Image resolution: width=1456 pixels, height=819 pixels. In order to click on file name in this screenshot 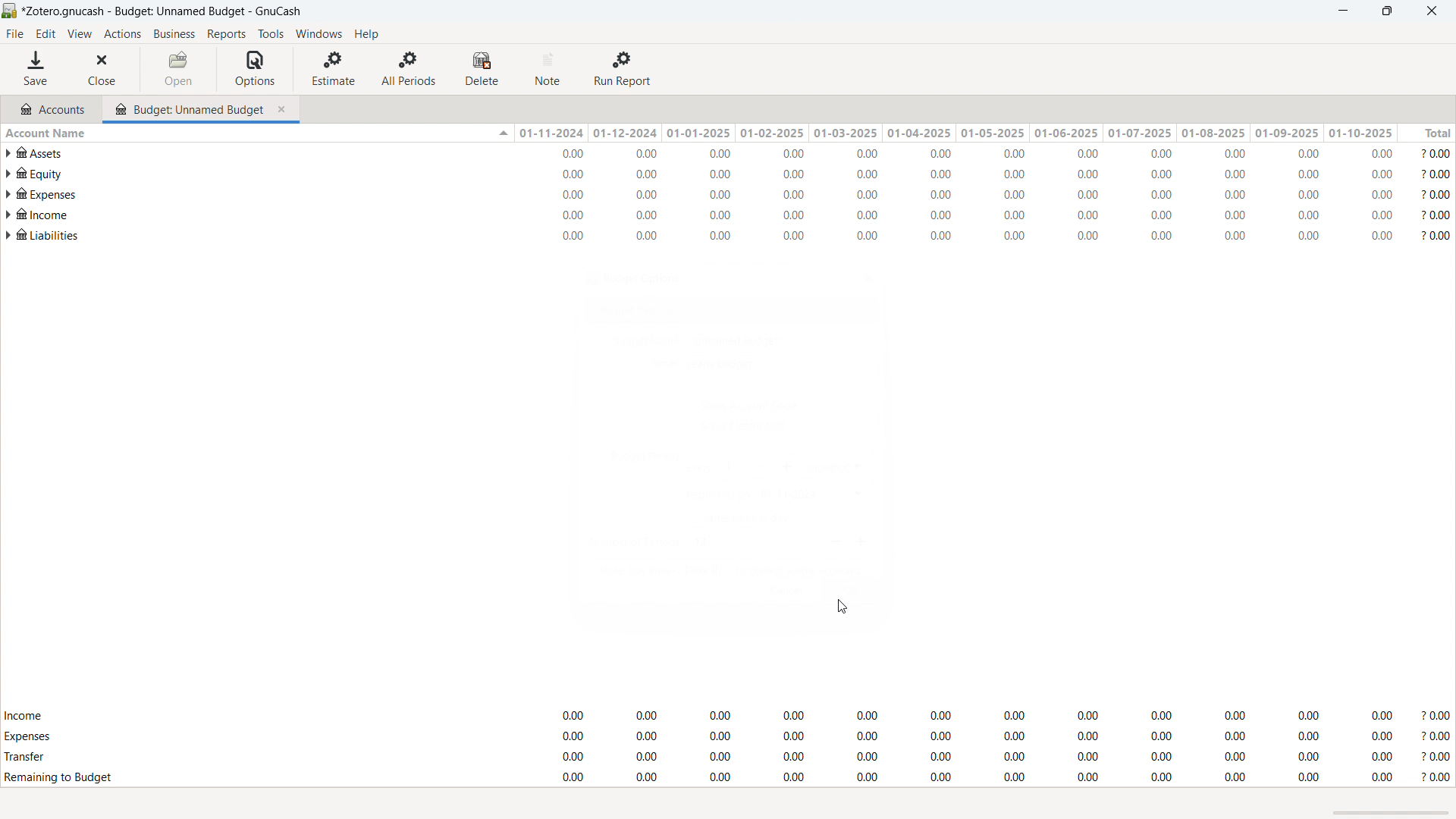, I will do `click(163, 11)`.